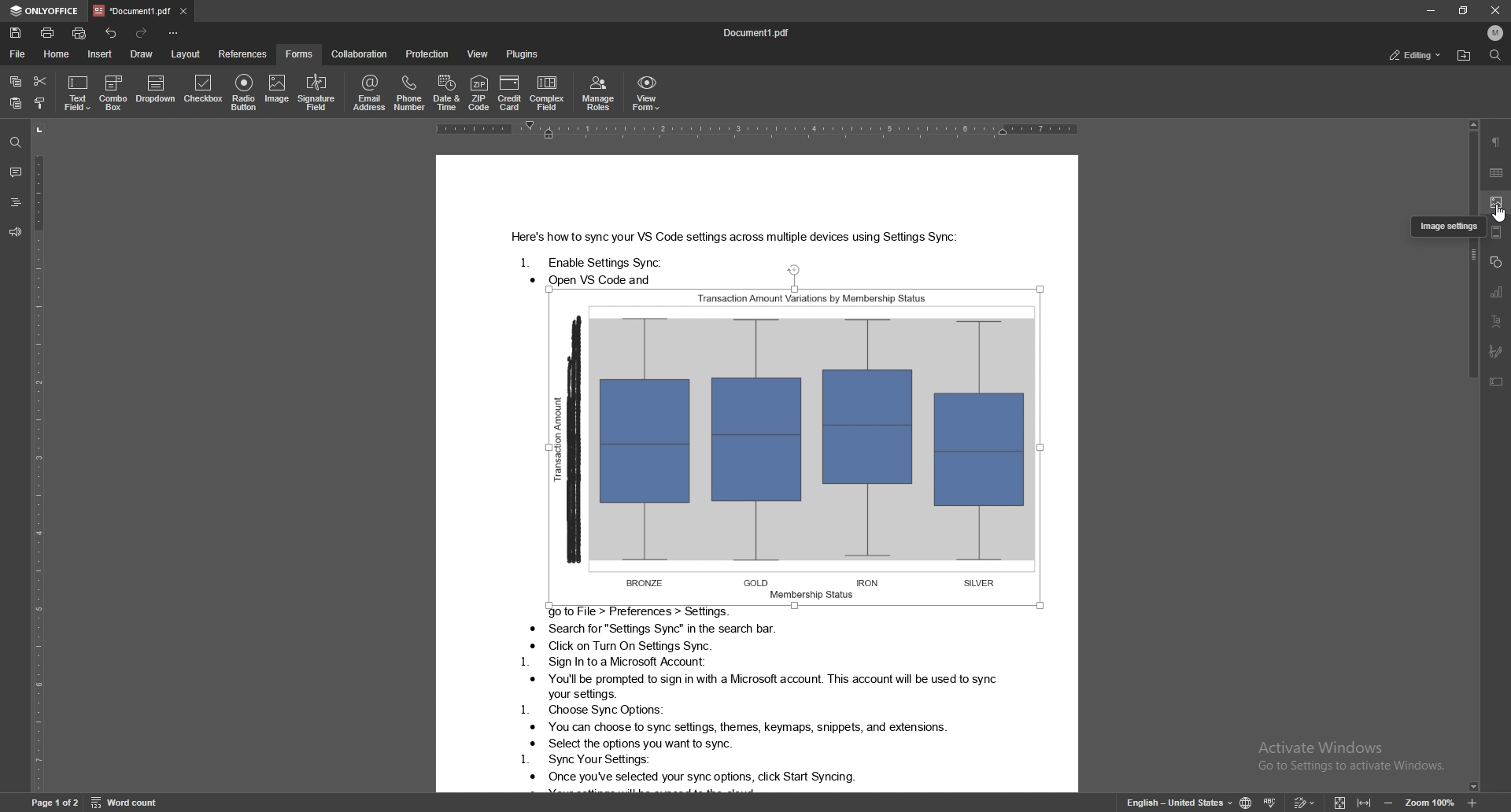  I want to click on editing, so click(1417, 56).